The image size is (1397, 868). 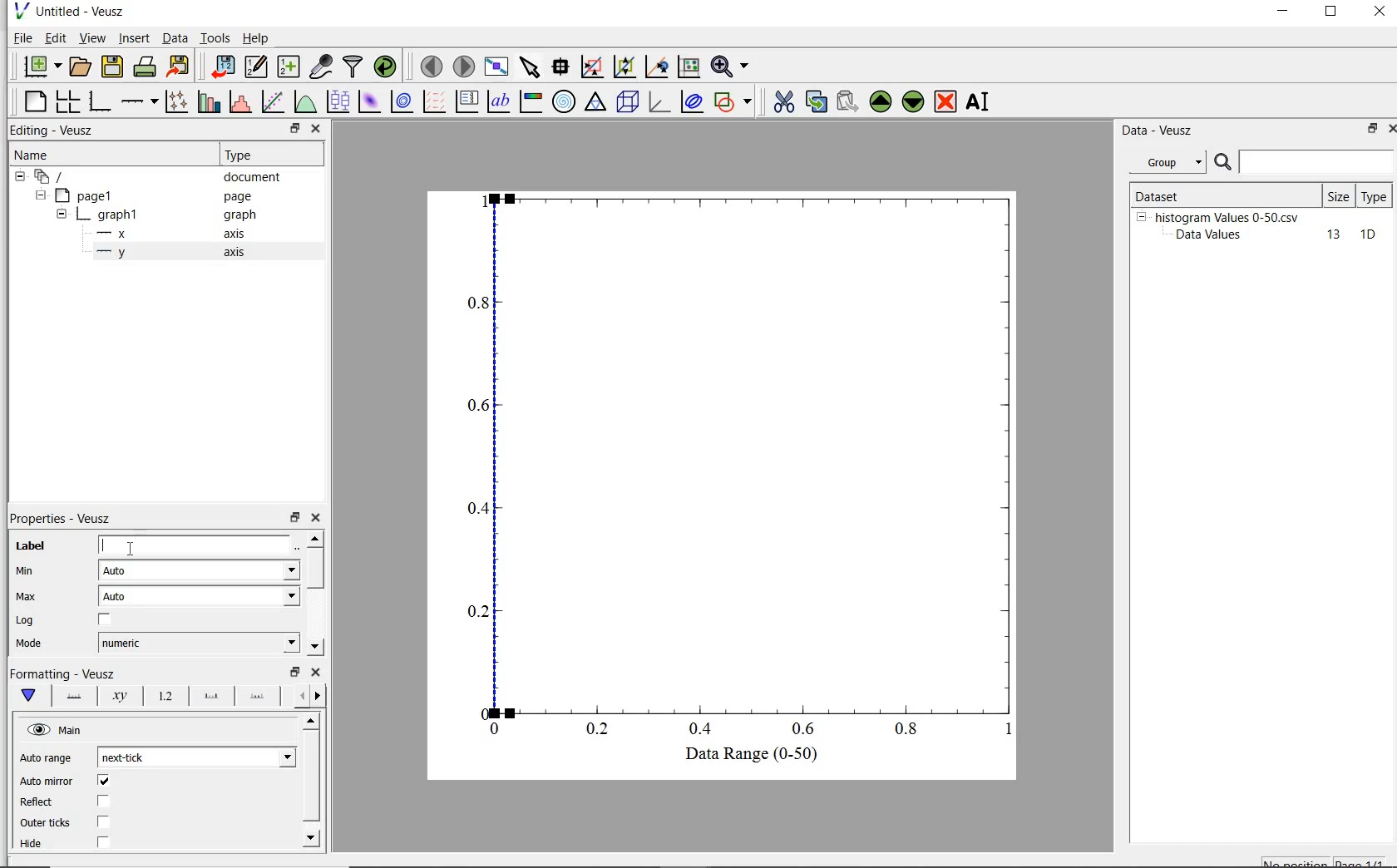 What do you see at coordinates (304, 101) in the screenshot?
I see `plot a function` at bounding box center [304, 101].